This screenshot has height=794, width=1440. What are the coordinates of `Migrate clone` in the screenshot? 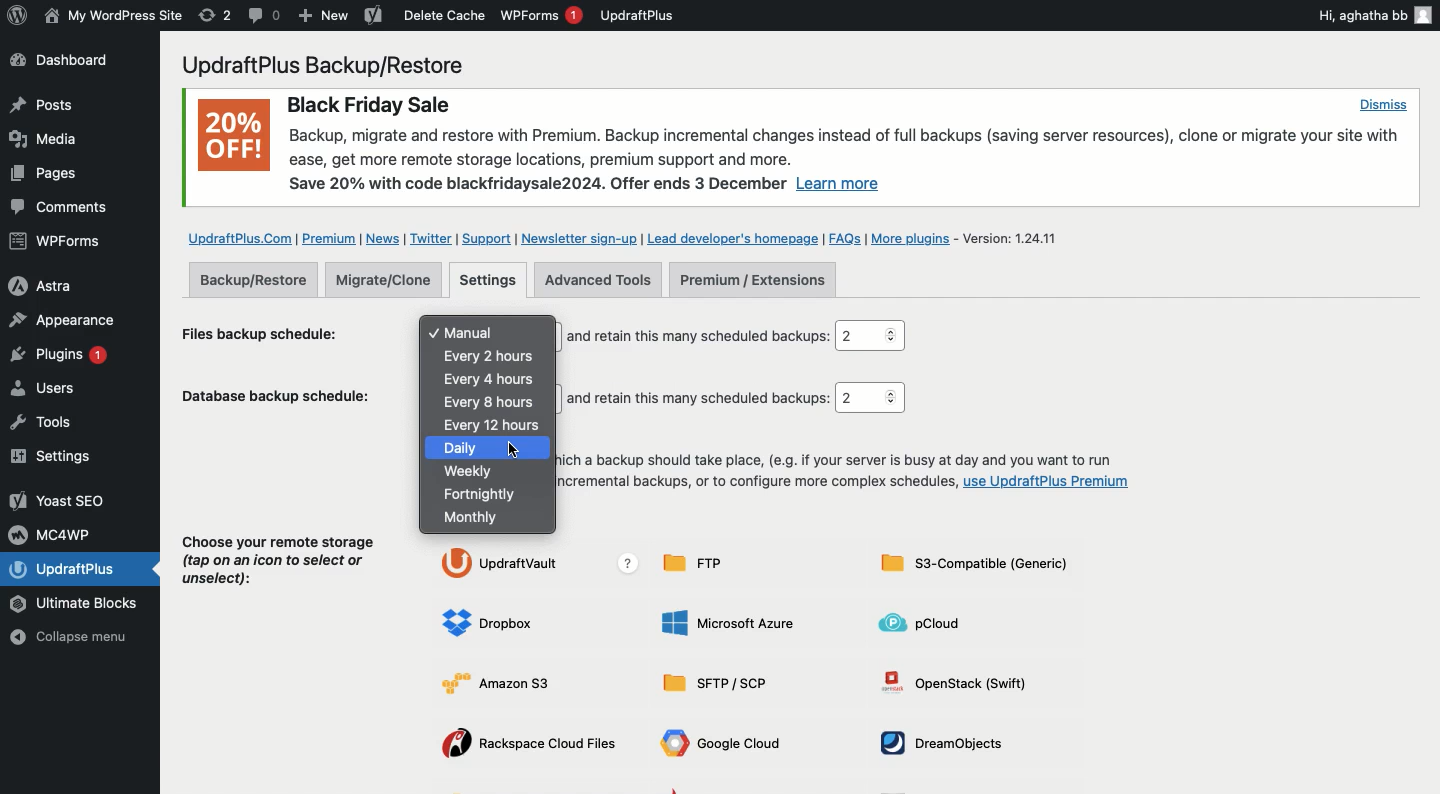 It's located at (389, 281).